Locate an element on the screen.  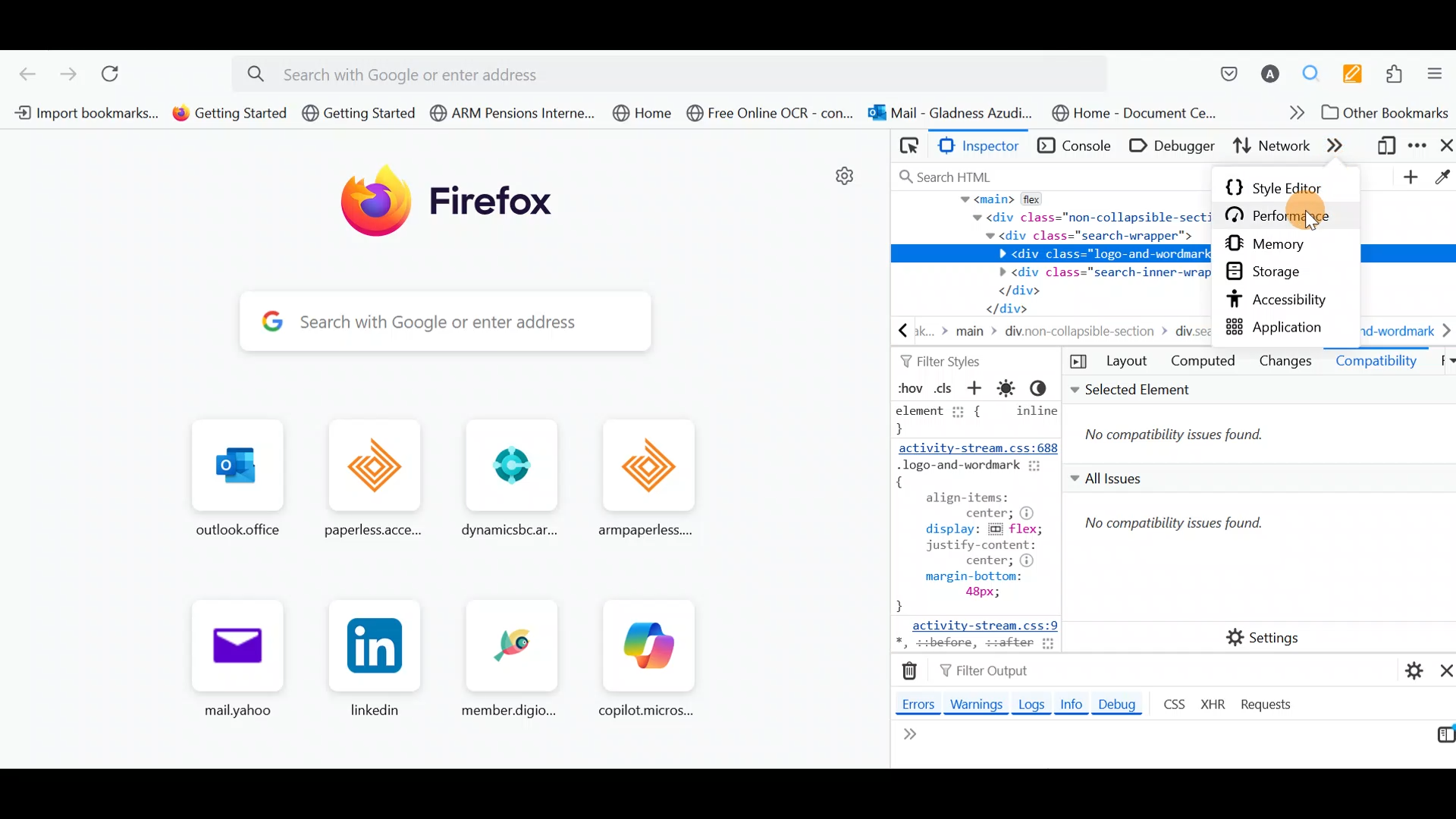
Errors is located at coordinates (914, 703).